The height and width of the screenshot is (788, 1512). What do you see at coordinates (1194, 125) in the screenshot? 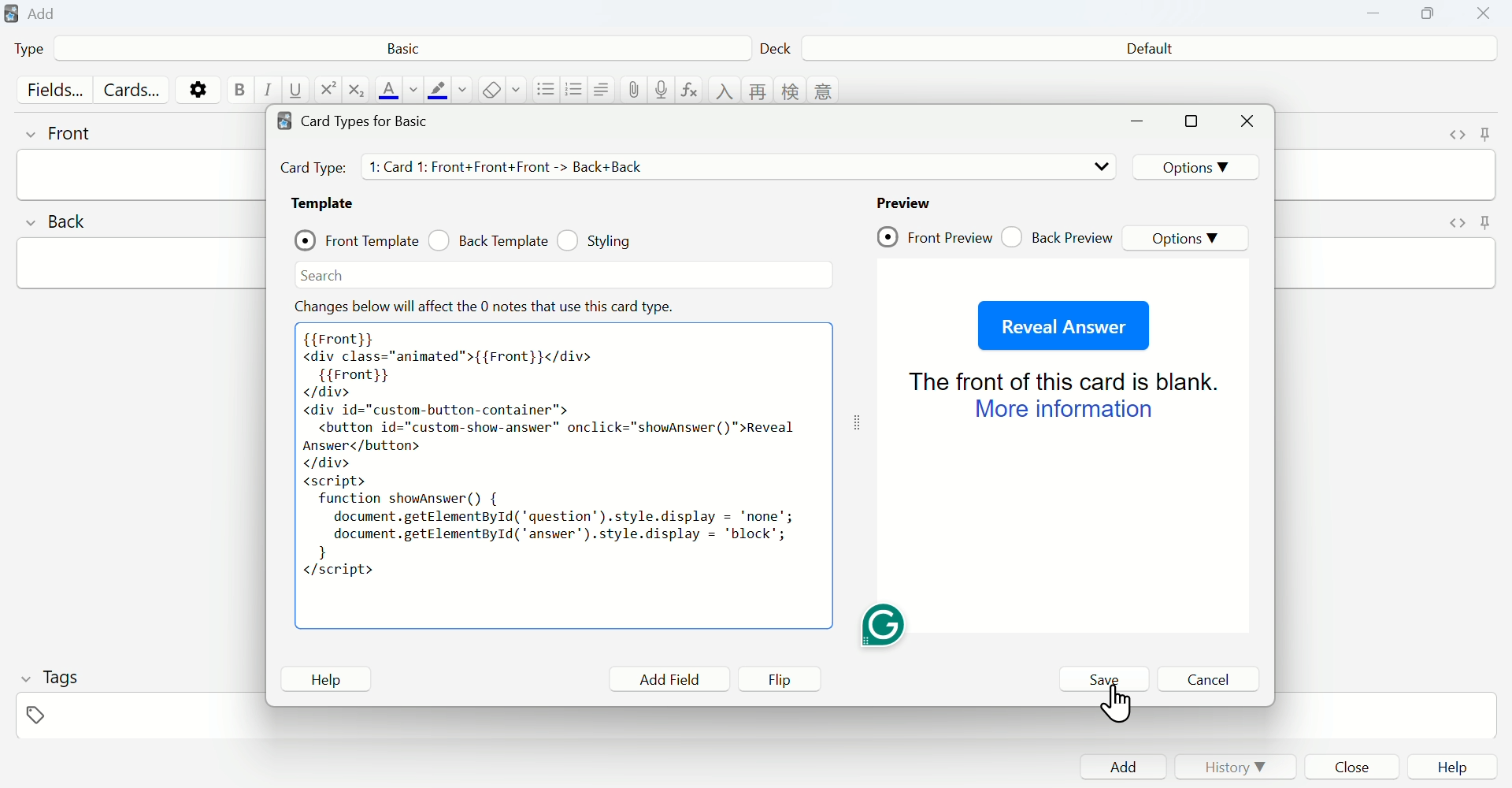
I see `maximize` at bounding box center [1194, 125].